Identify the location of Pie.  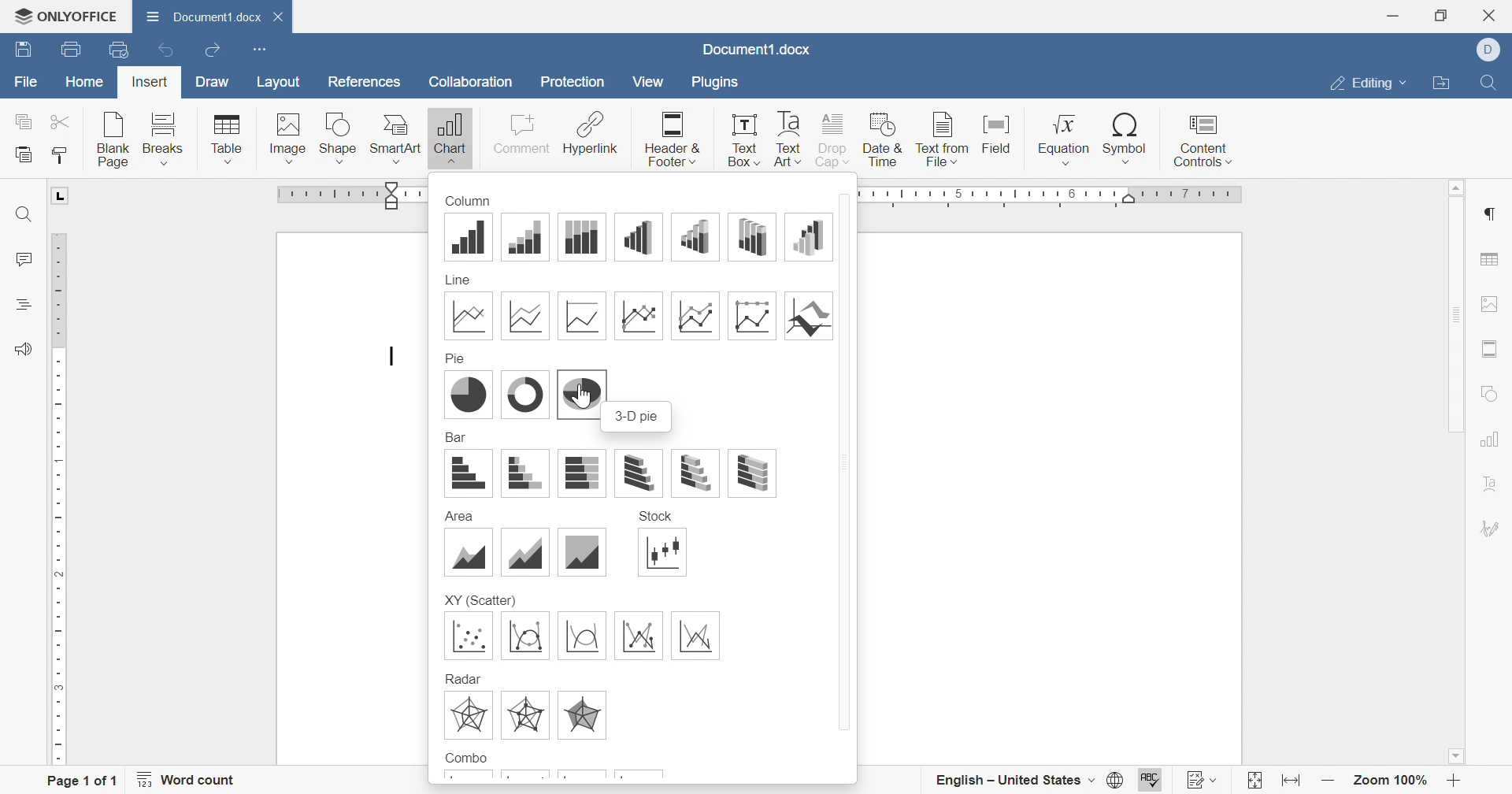
(457, 358).